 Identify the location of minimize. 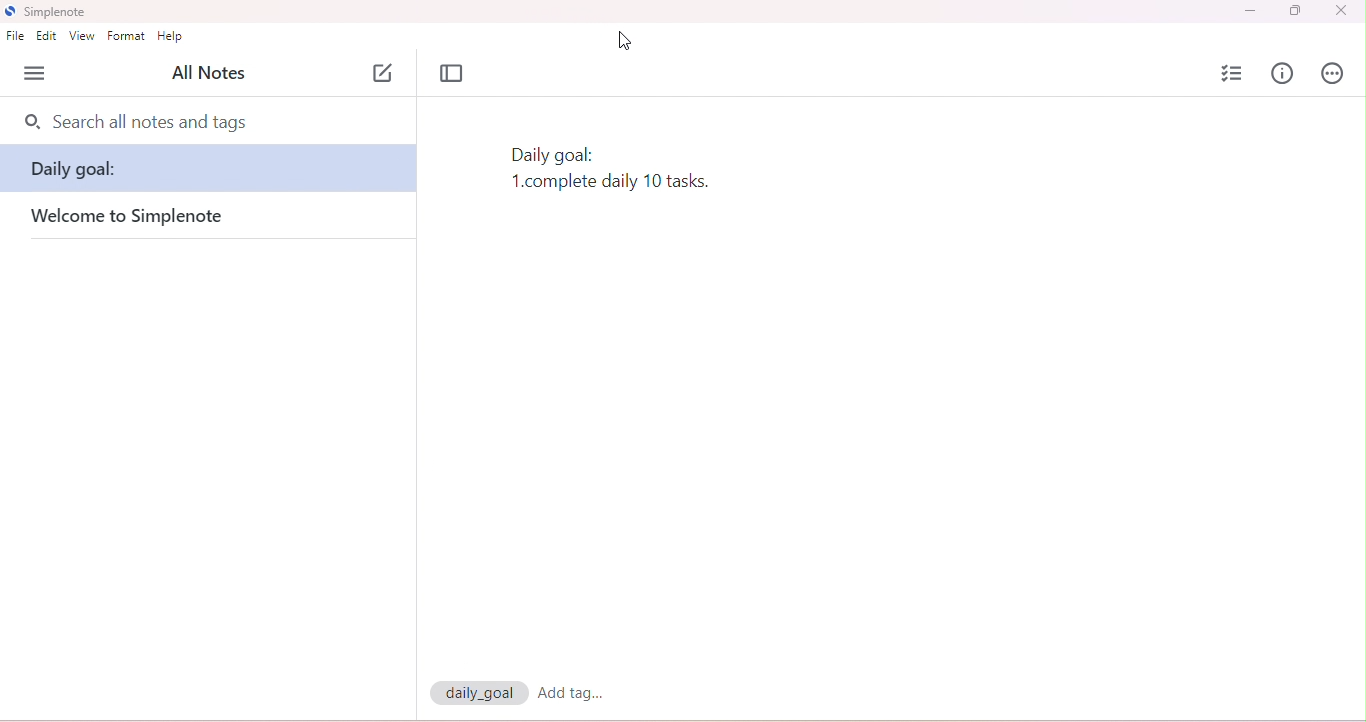
(1248, 12).